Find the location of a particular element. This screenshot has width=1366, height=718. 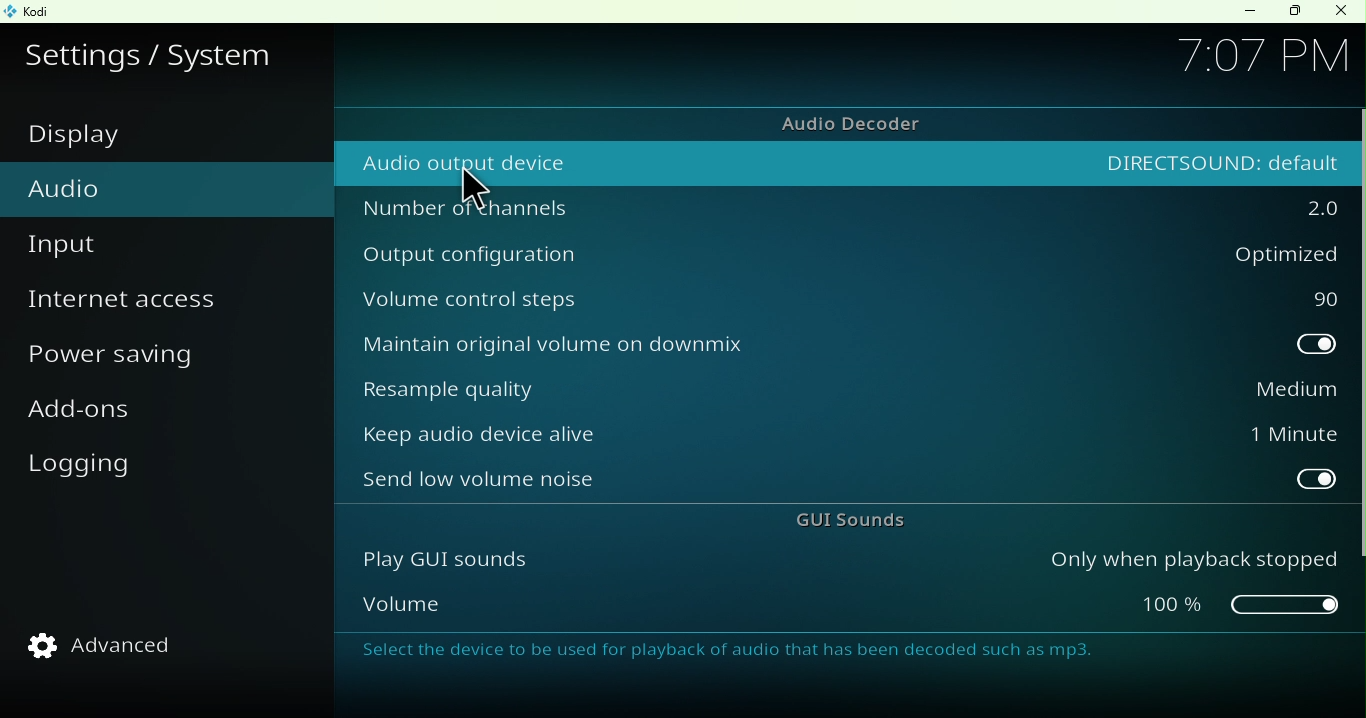

Add-ons is located at coordinates (90, 417).